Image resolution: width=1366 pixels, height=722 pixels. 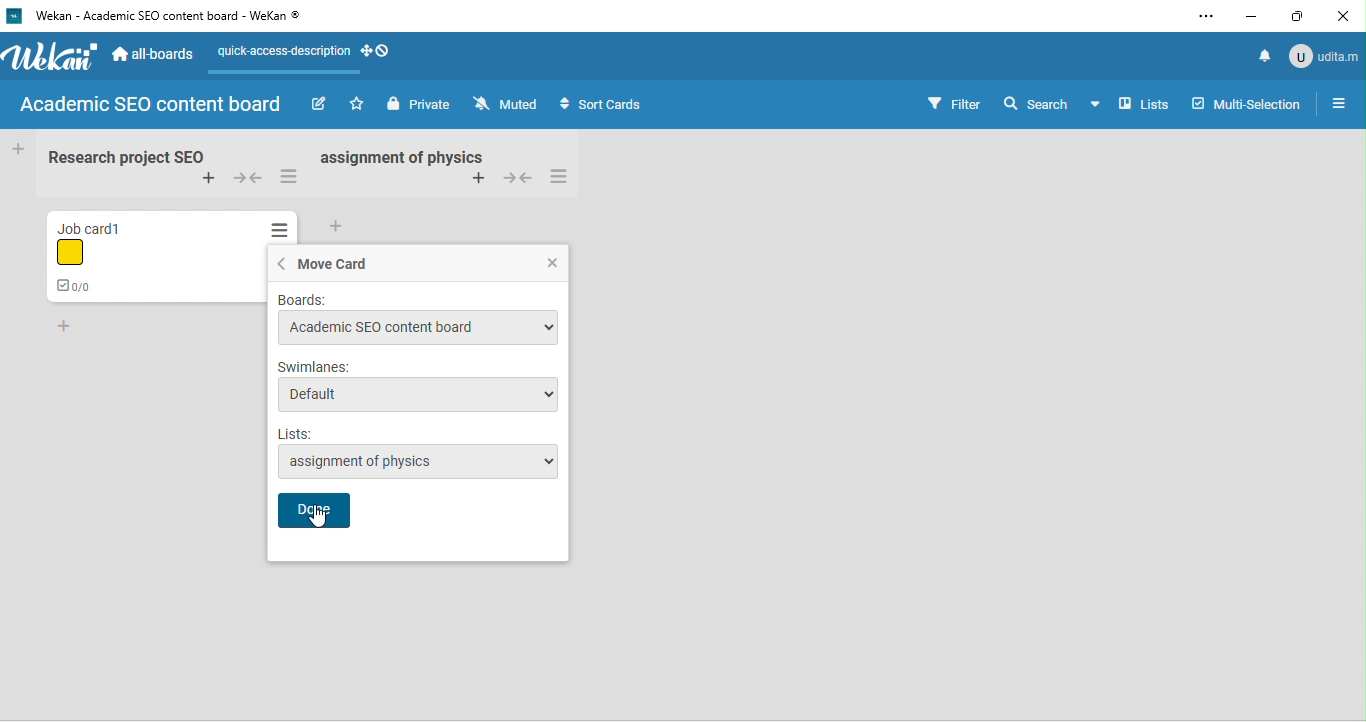 What do you see at coordinates (416, 394) in the screenshot?
I see `swimlane options` at bounding box center [416, 394].